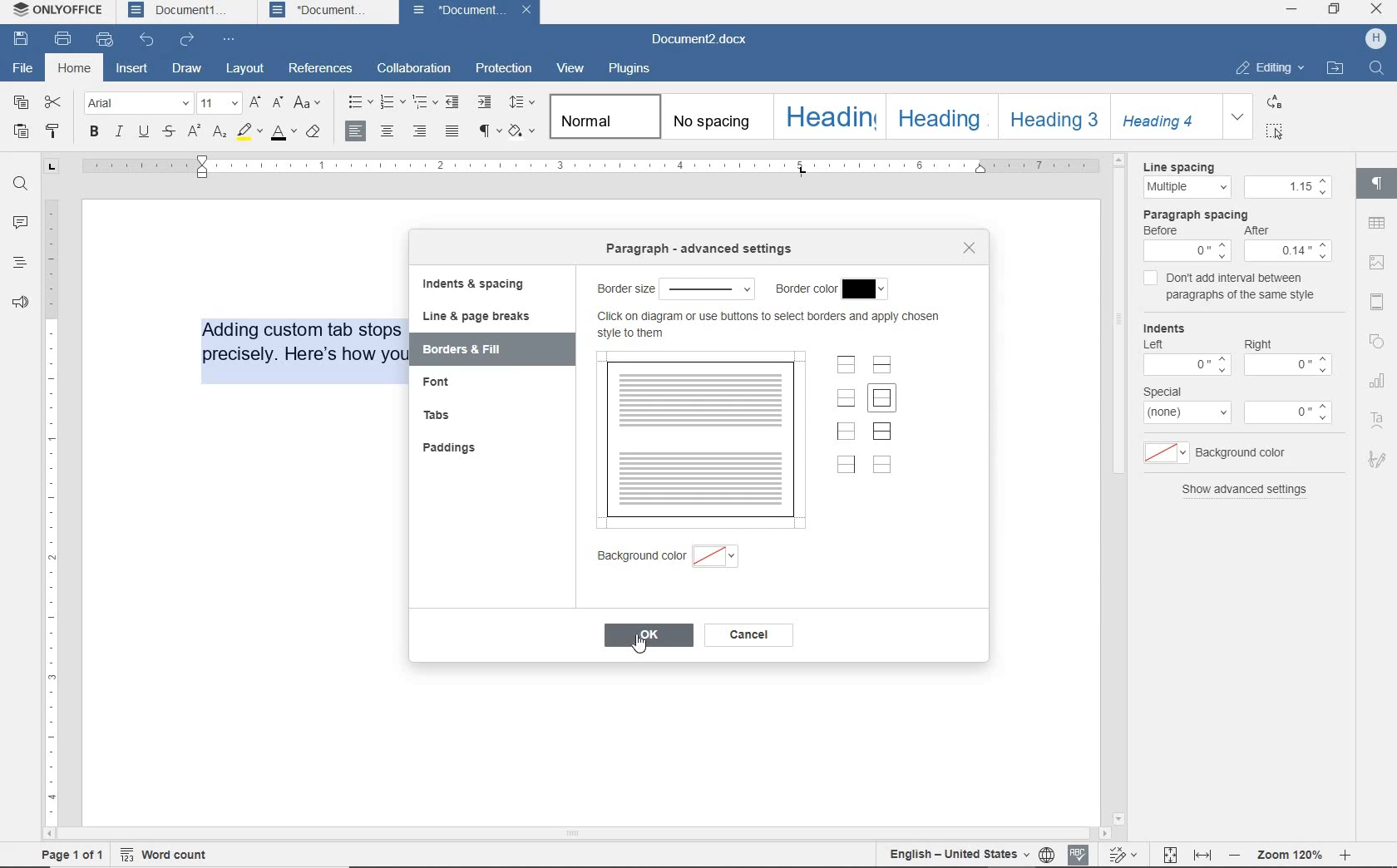  What do you see at coordinates (1167, 117) in the screenshot?
I see `heading 4` at bounding box center [1167, 117].